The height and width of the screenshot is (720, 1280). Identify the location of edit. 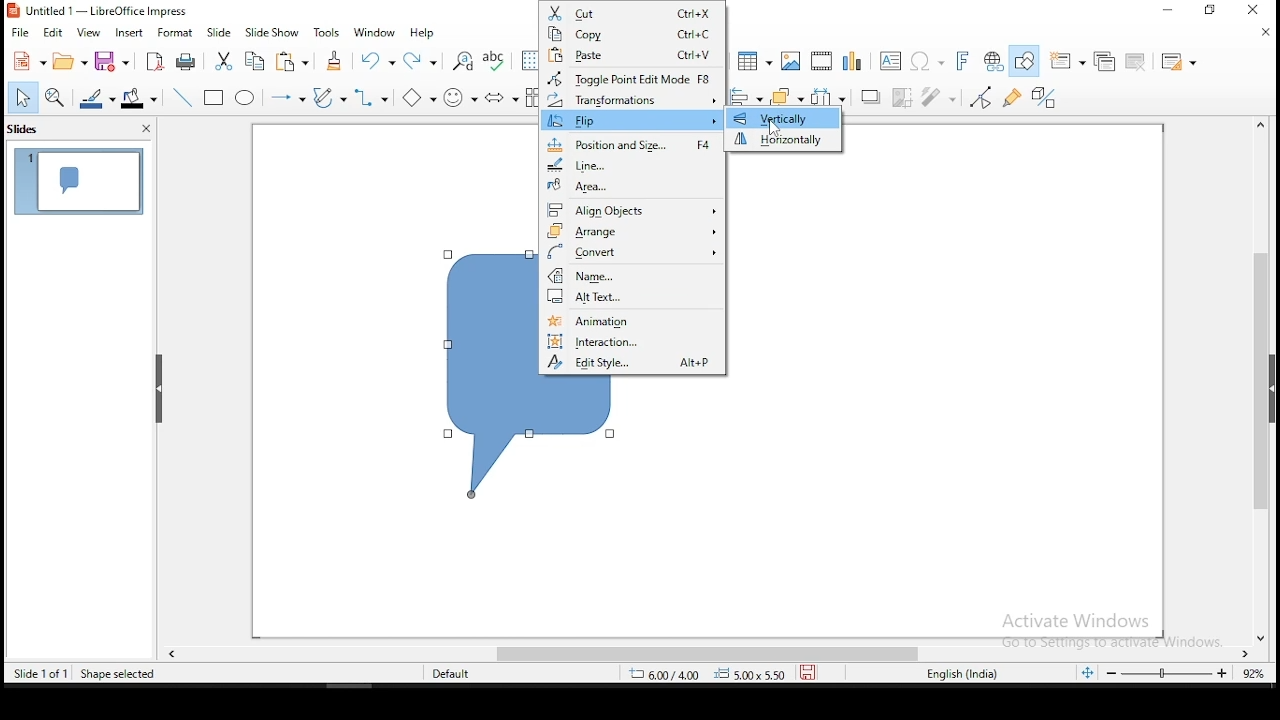
(55, 31).